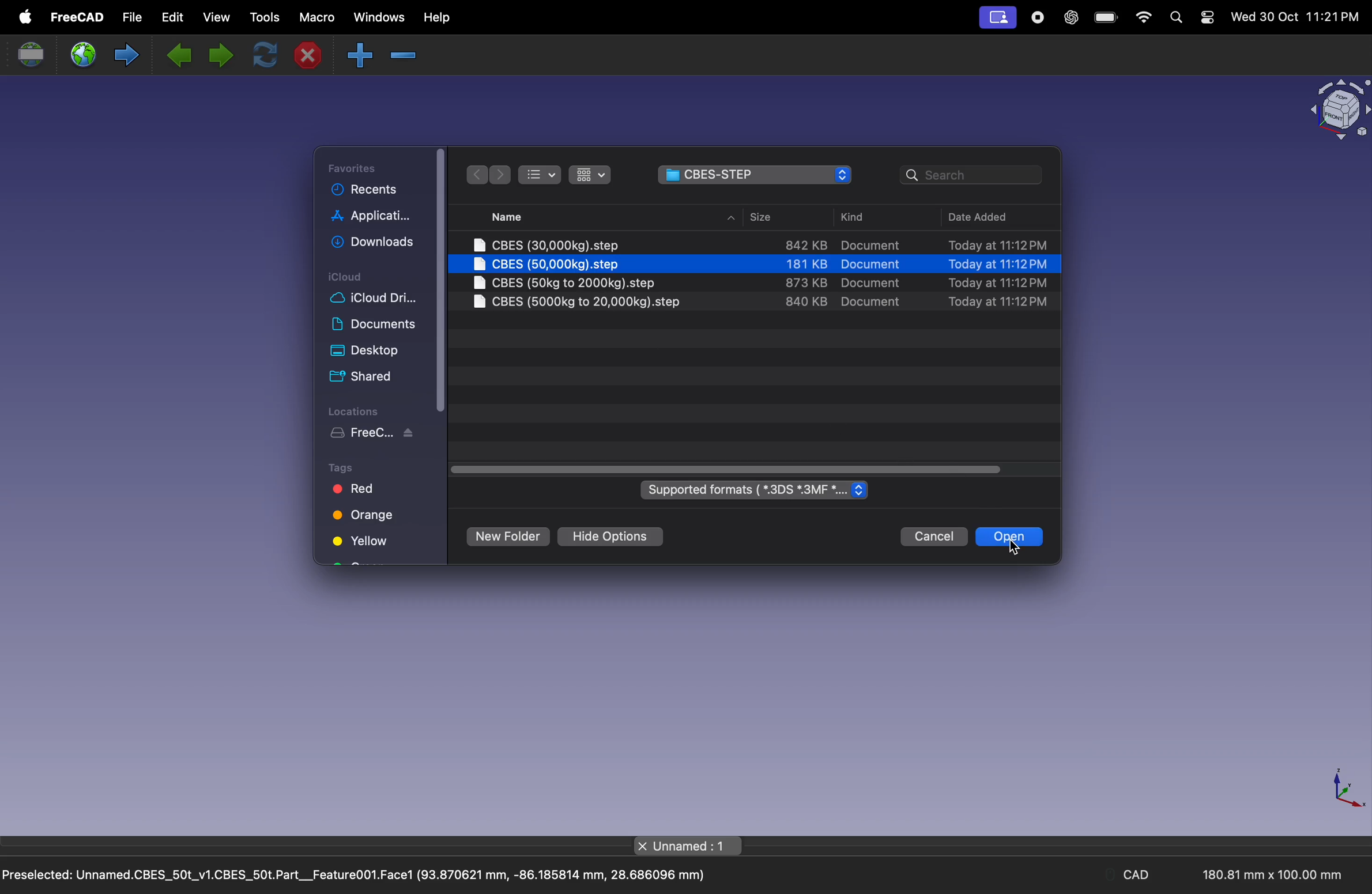  I want to click on name, so click(555, 216).